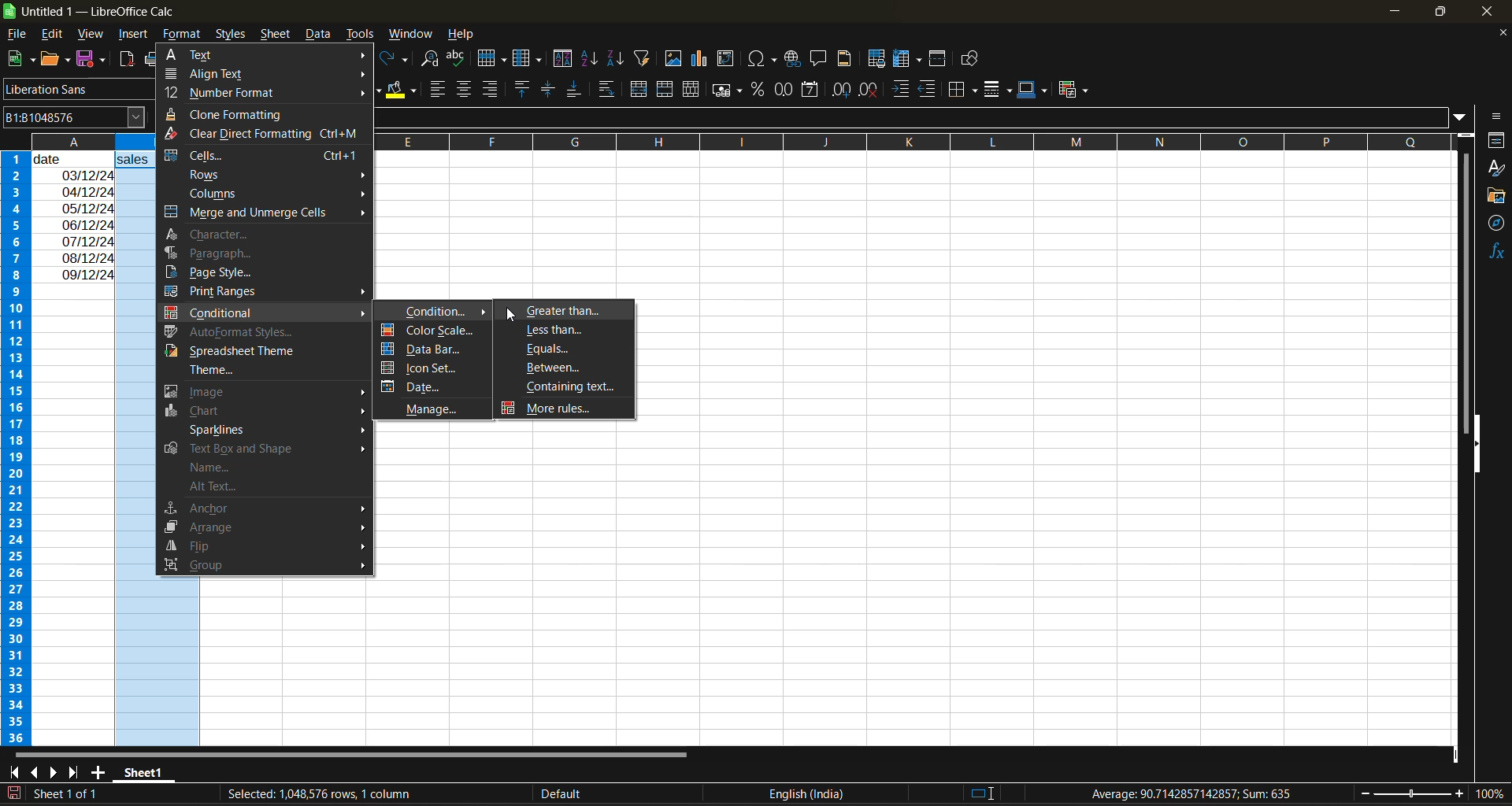  Describe the element at coordinates (726, 58) in the screenshot. I see `insert or edit pivot table` at that location.